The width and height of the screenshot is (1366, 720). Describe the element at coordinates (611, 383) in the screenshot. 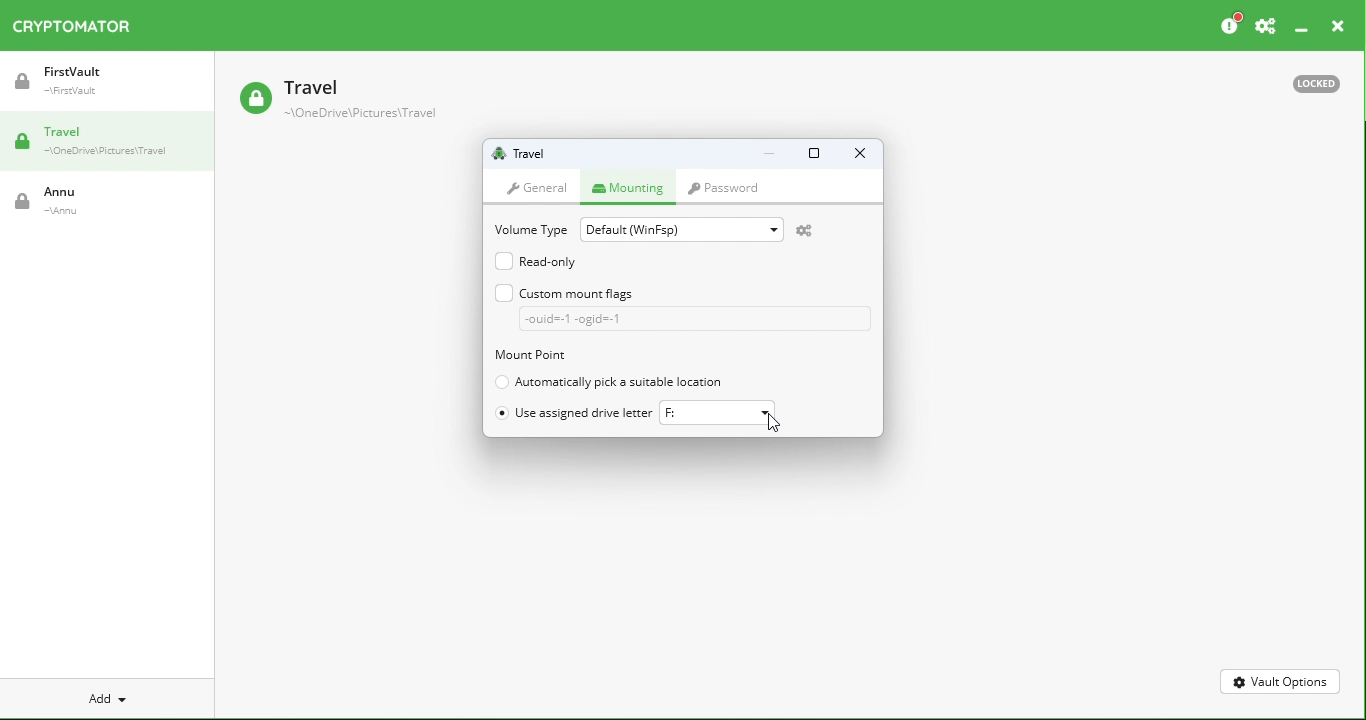

I see `Automatically pick suitable location` at that location.